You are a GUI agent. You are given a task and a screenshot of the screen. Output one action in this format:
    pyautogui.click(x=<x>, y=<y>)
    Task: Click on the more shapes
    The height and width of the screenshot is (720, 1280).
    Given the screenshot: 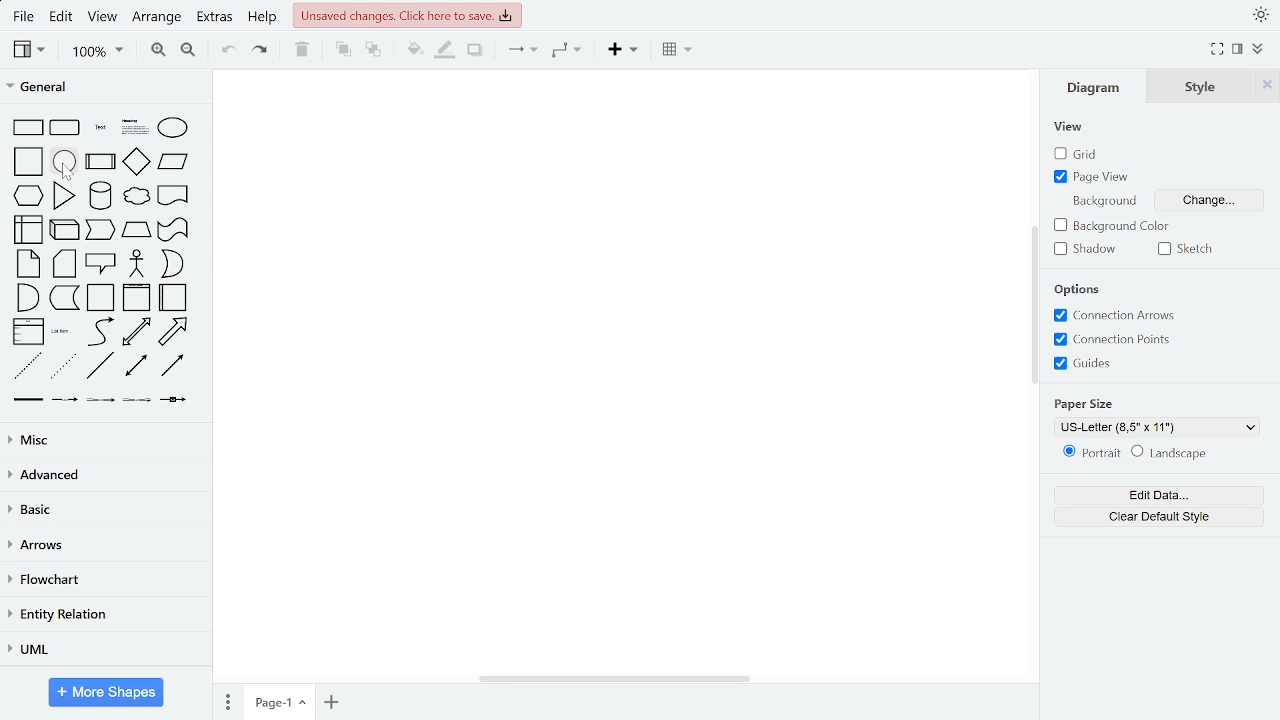 What is the action you would take?
    pyautogui.click(x=105, y=692)
    